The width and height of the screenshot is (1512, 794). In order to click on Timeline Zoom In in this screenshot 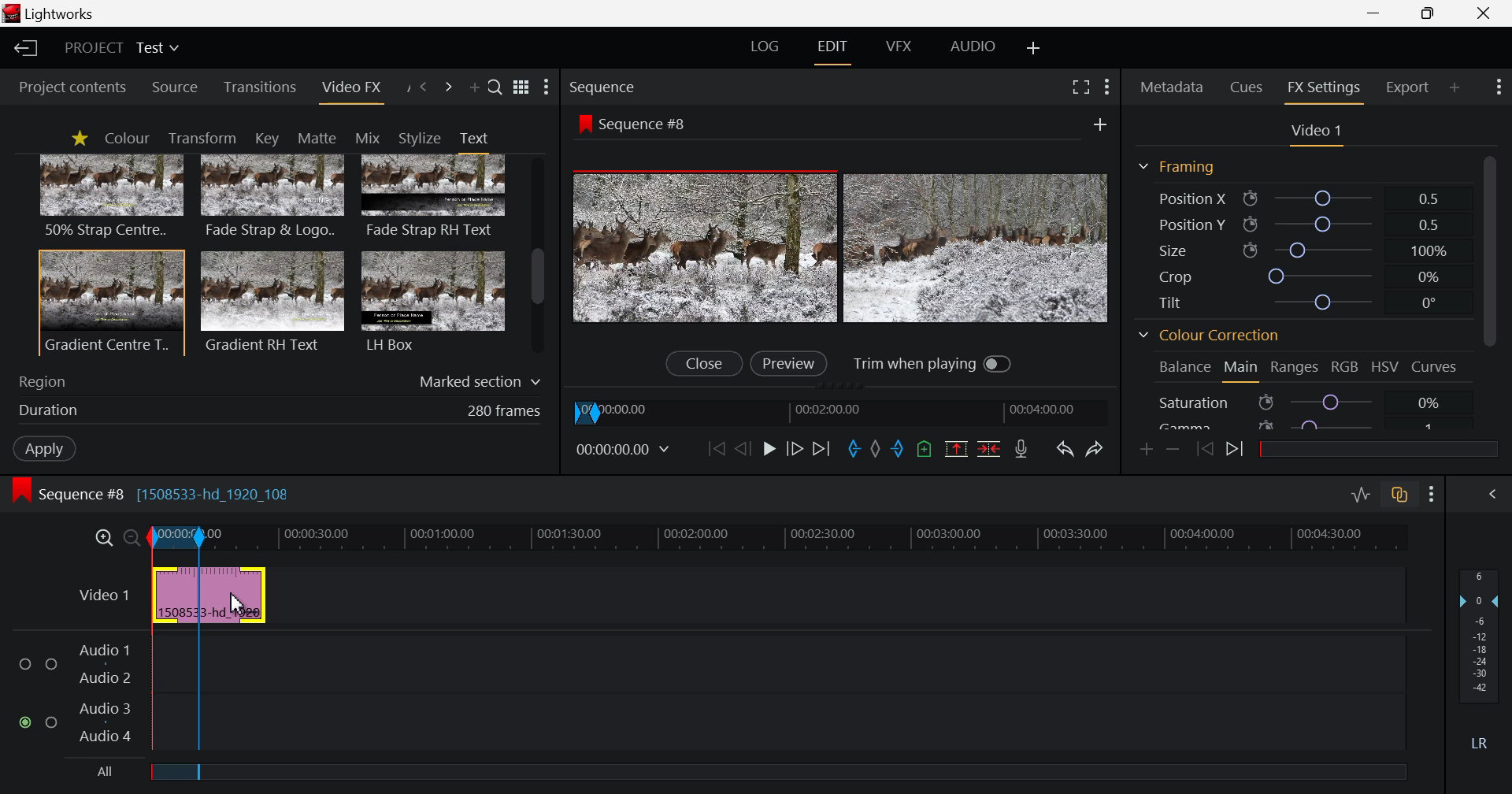, I will do `click(104, 536)`.